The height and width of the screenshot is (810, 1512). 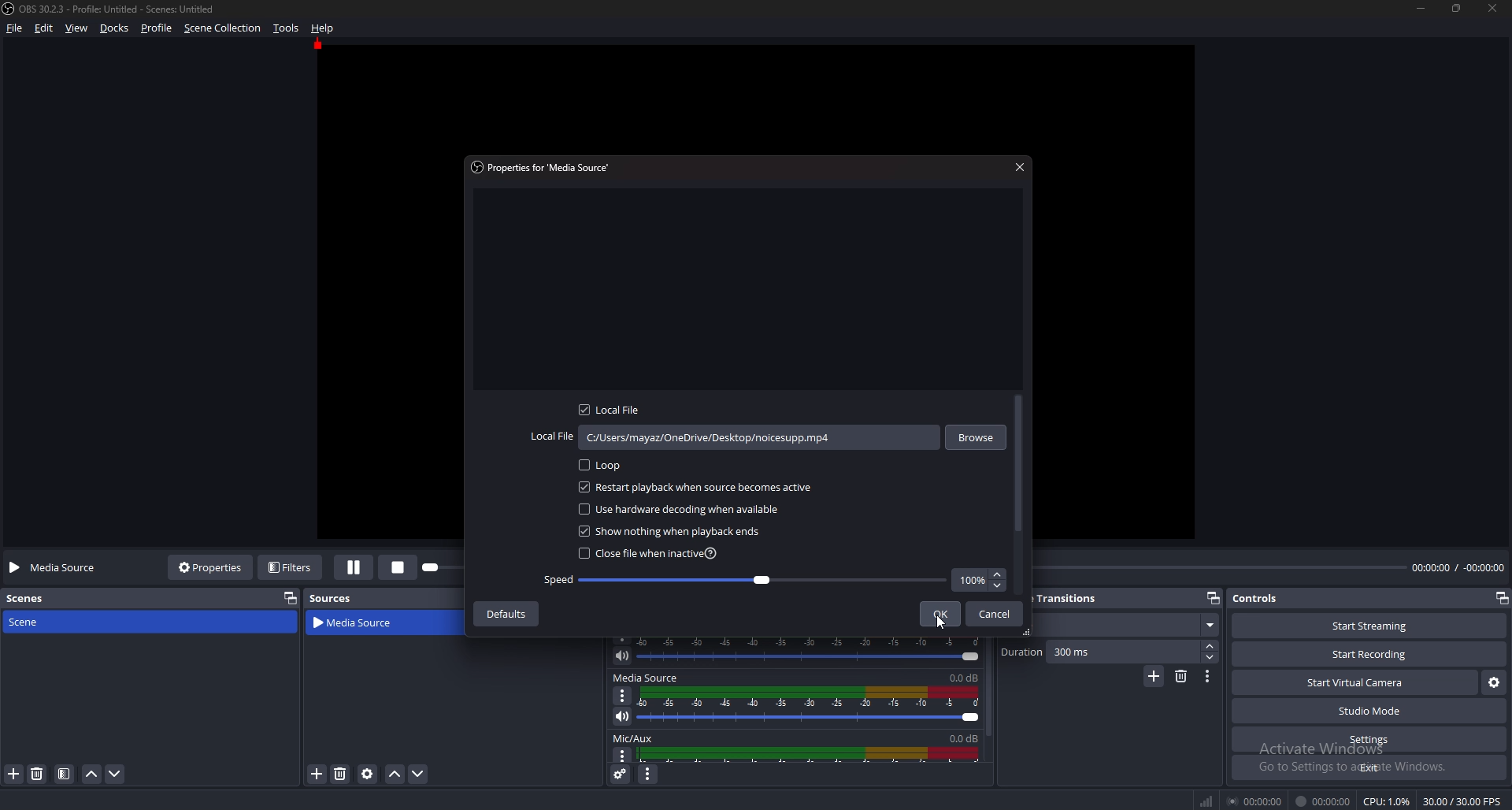 I want to click on media source, so click(x=646, y=678).